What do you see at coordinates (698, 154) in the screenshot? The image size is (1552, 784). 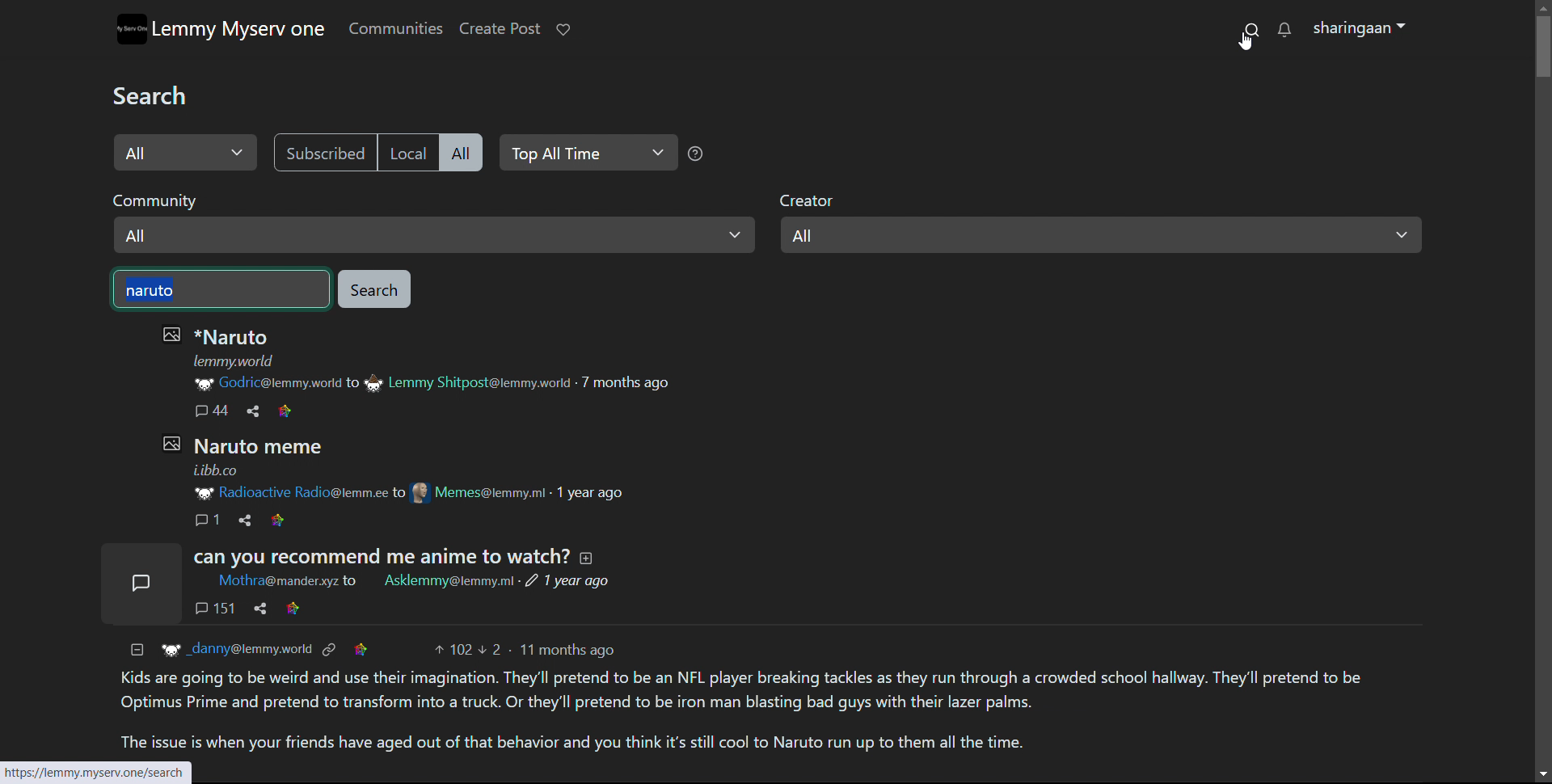 I see `Top All Time` at bounding box center [698, 154].